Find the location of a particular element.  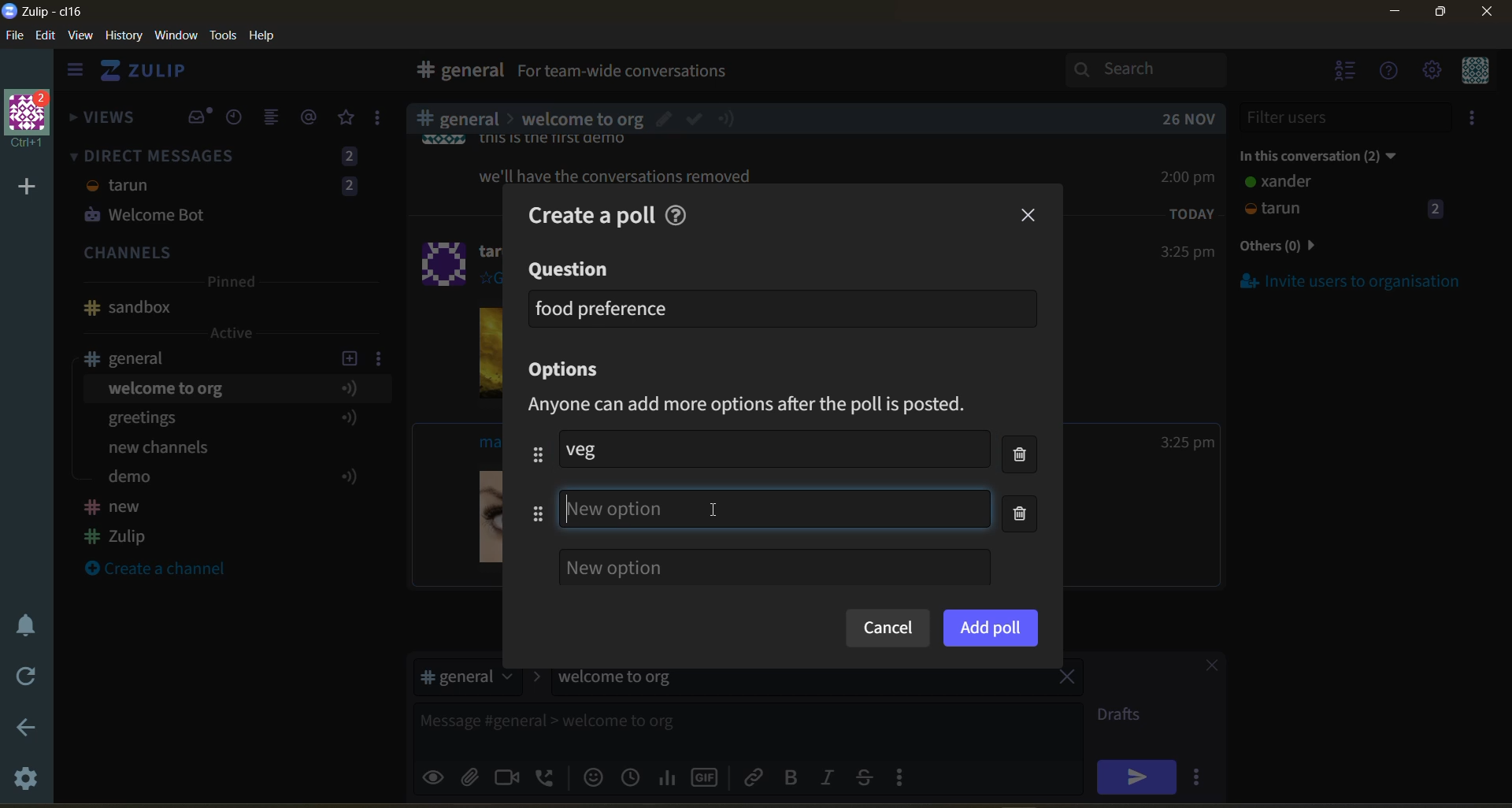

views is located at coordinates (103, 122).